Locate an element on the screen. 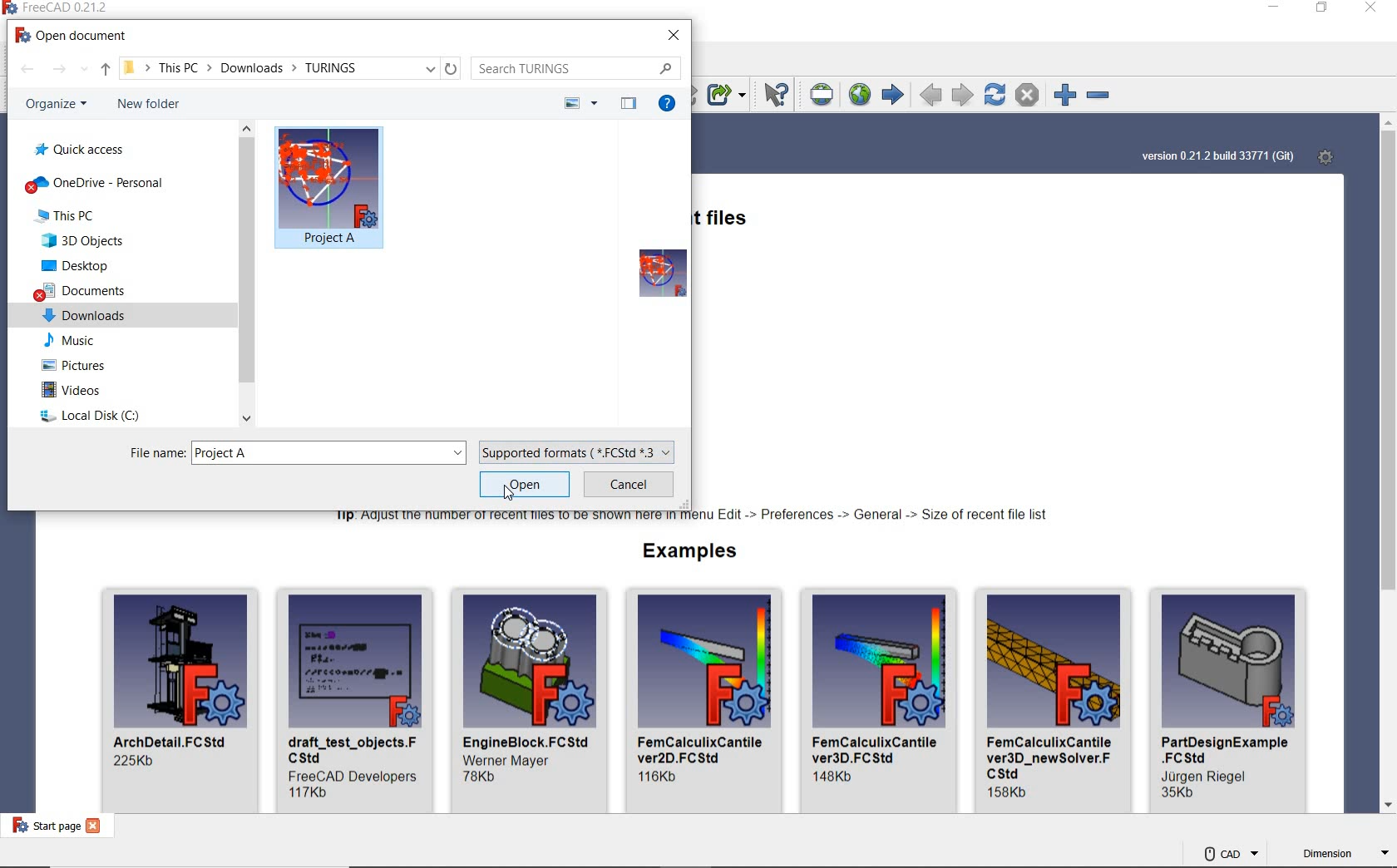  image is located at coordinates (531, 659).